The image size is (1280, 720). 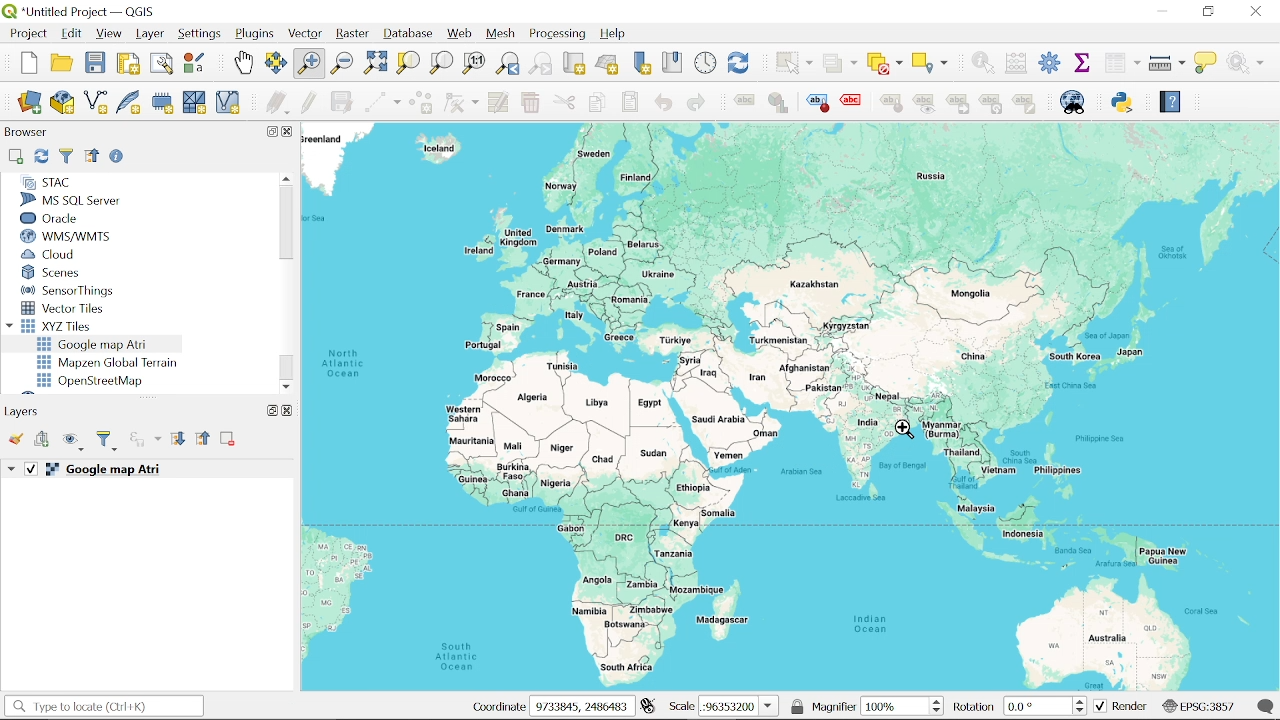 What do you see at coordinates (488, 707) in the screenshot?
I see `co-ordinate` at bounding box center [488, 707].